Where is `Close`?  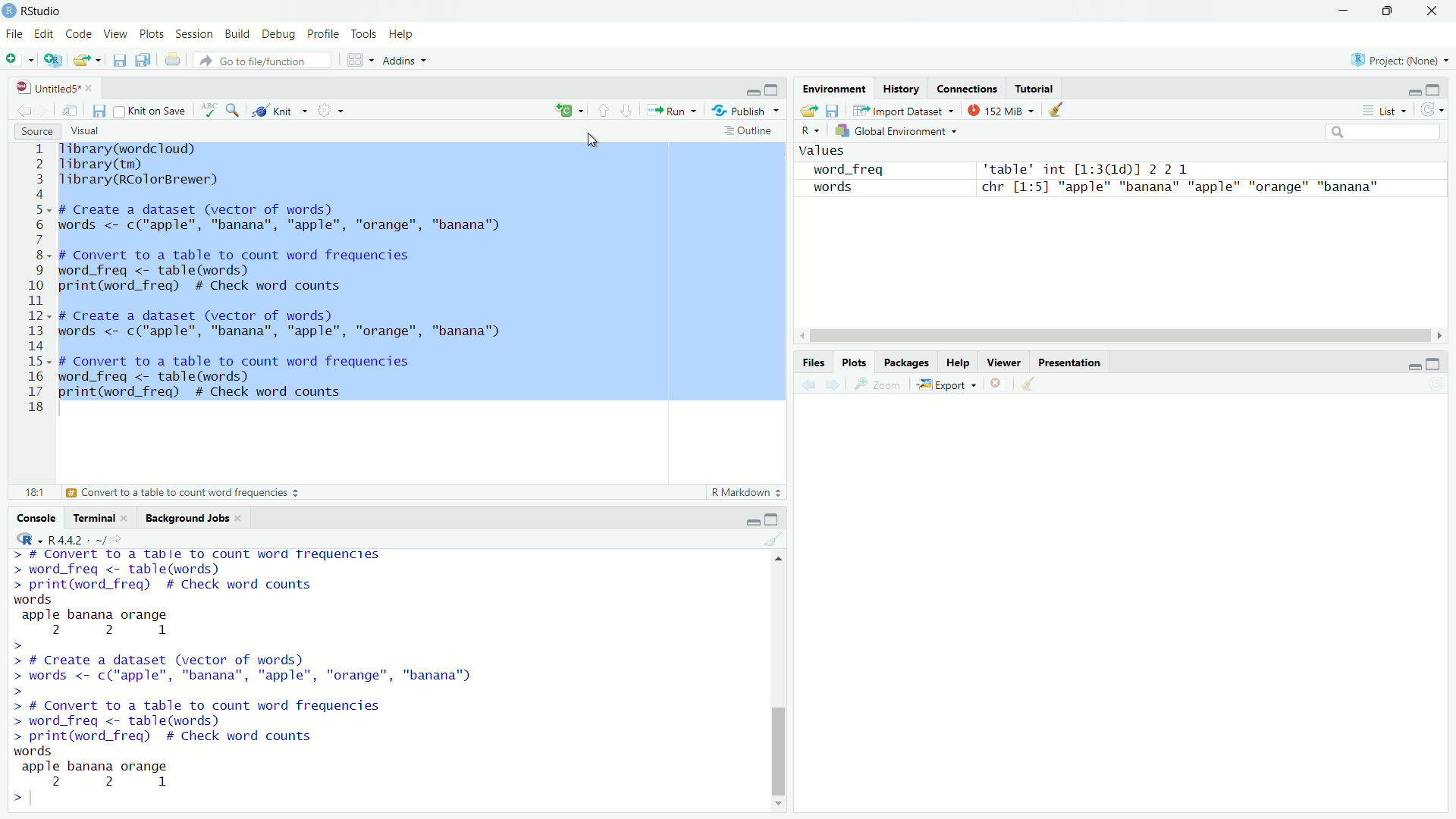 Close is located at coordinates (1428, 14).